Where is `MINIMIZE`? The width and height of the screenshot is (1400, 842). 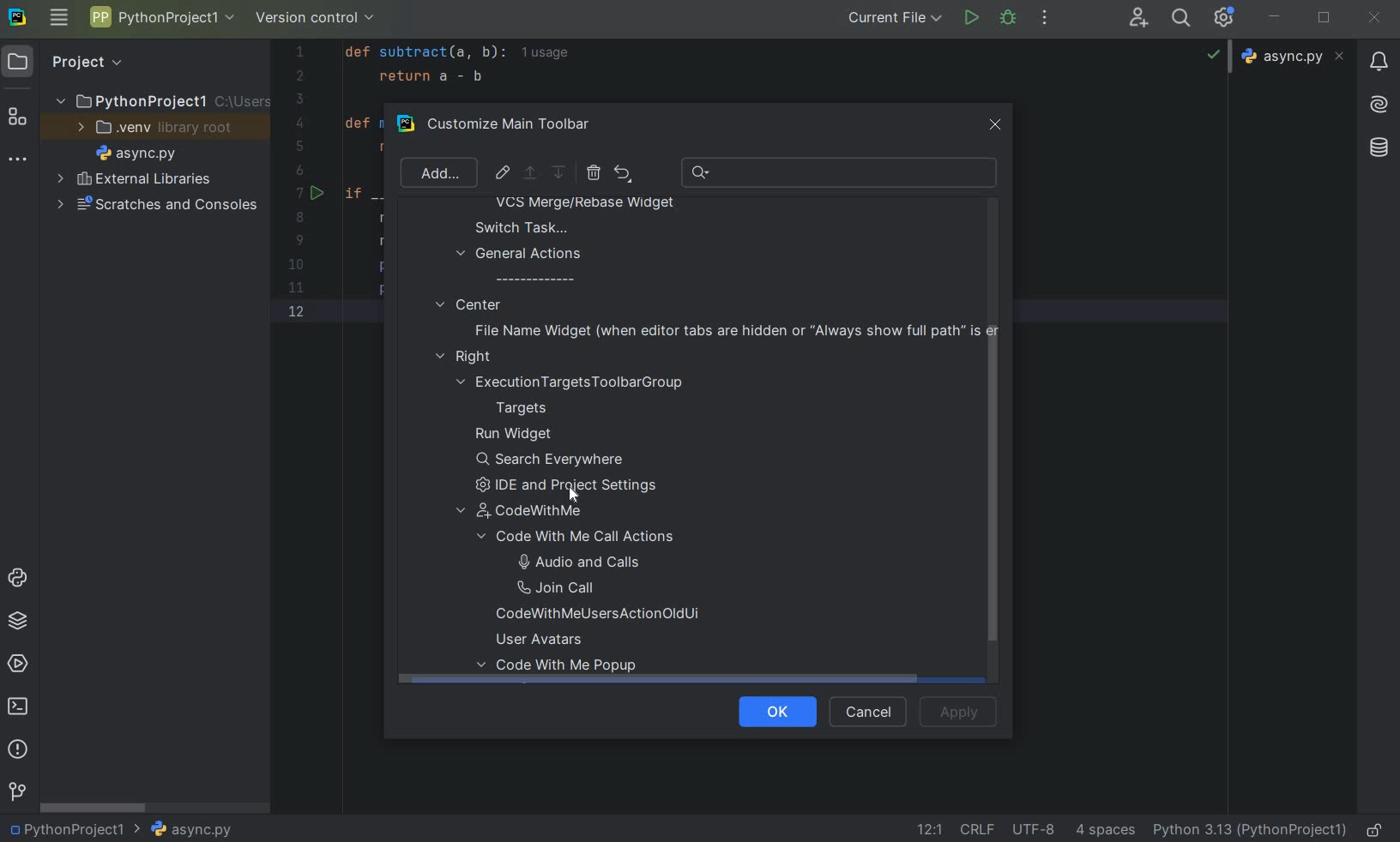
MINIMIZE is located at coordinates (1276, 18).